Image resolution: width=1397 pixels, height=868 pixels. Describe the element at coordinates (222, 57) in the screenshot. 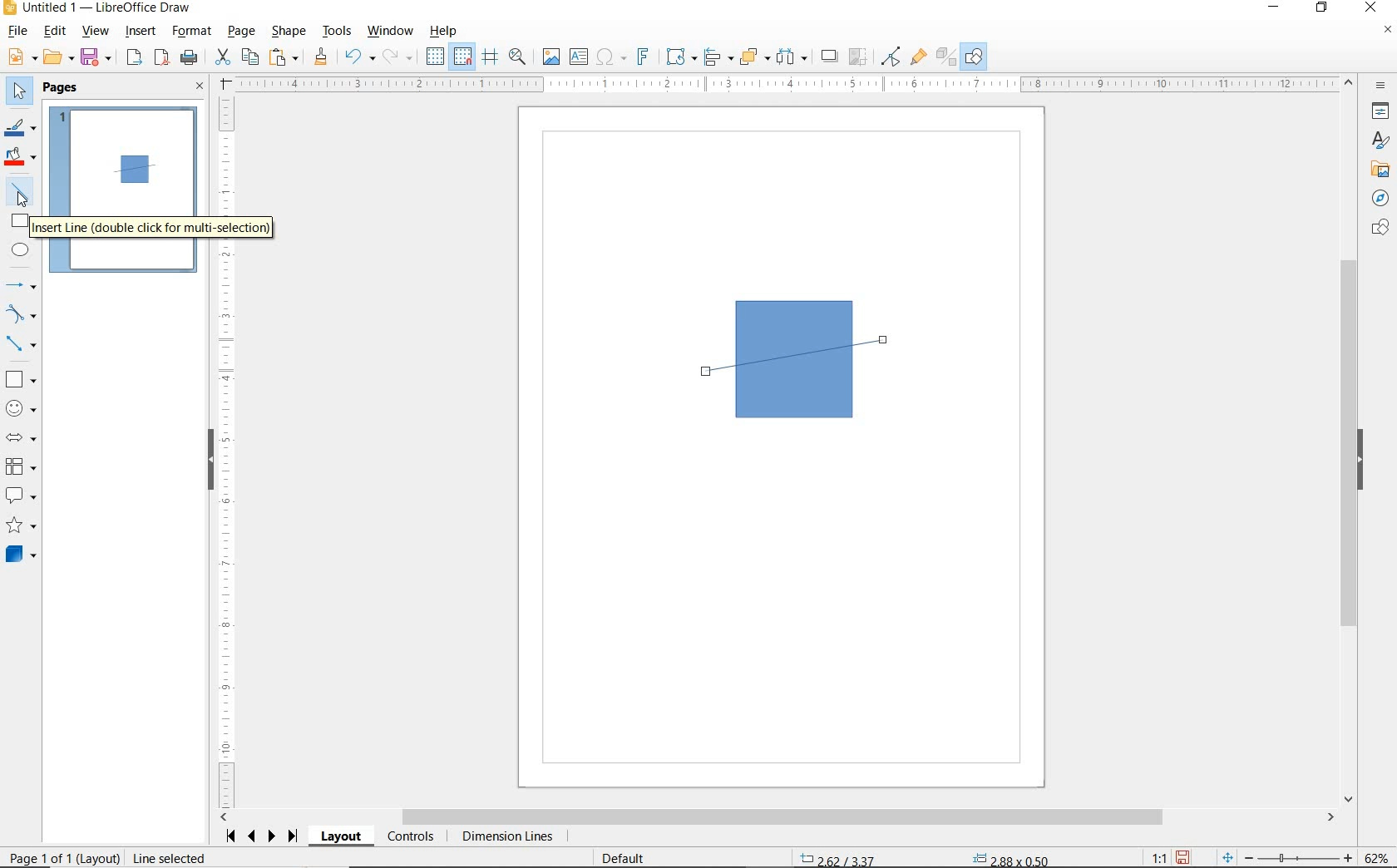

I see `CUT` at that location.